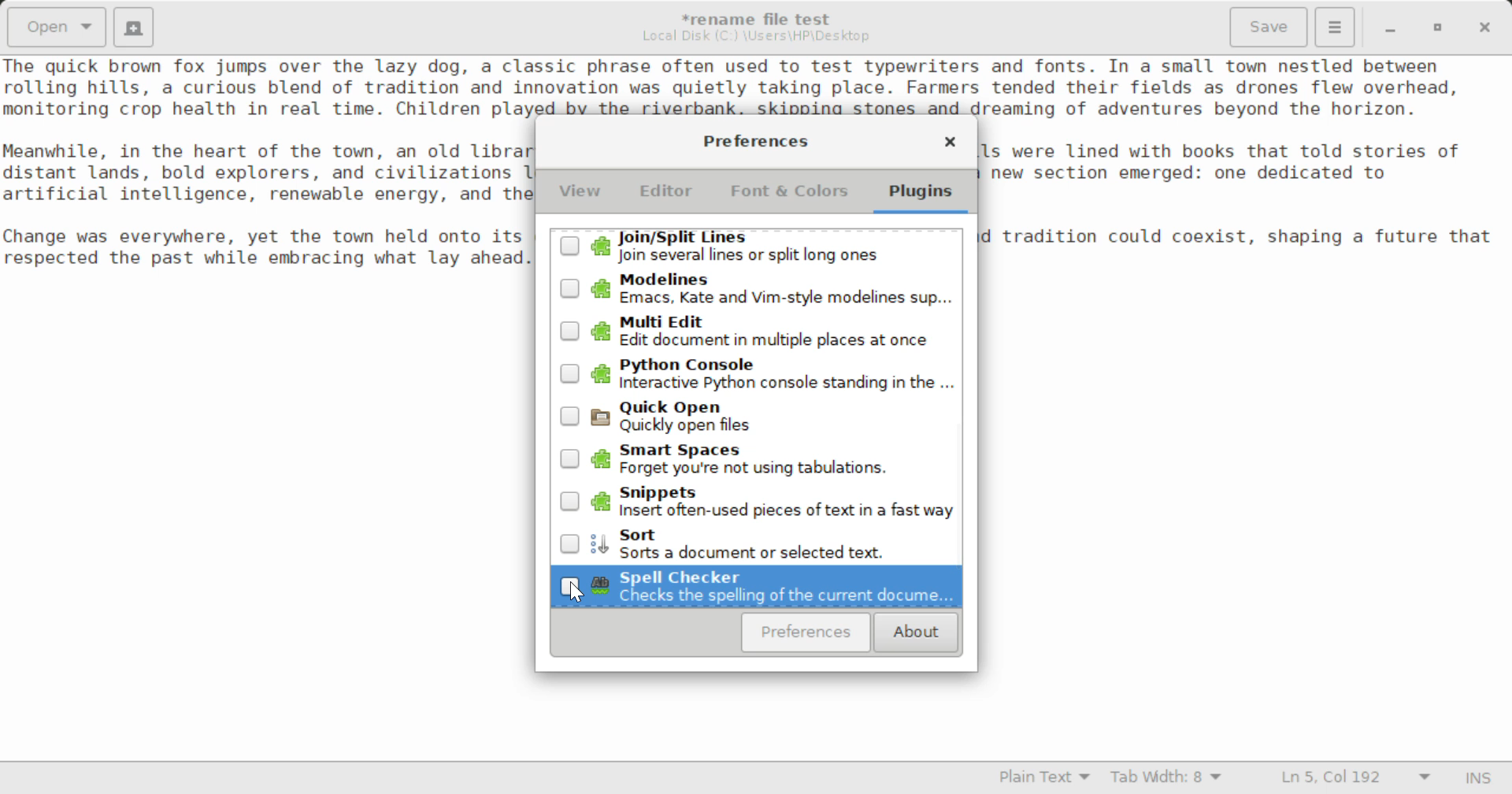 The image size is (1512, 794). I want to click on Preferences Setting Window Heading, so click(755, 141).